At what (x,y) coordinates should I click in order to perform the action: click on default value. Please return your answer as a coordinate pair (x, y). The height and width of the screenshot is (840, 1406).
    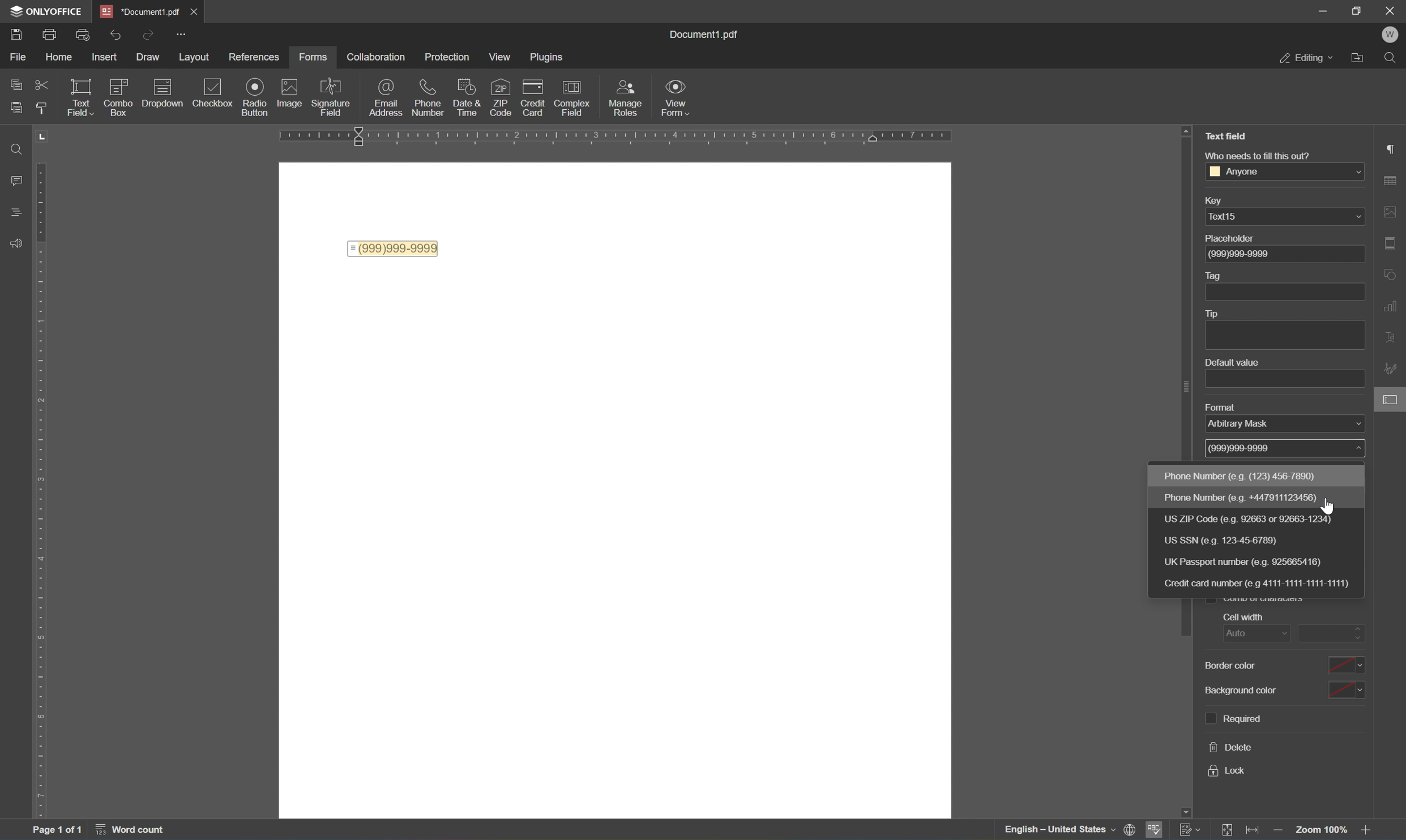
    Looking at the image, I should click on (1235, 362).